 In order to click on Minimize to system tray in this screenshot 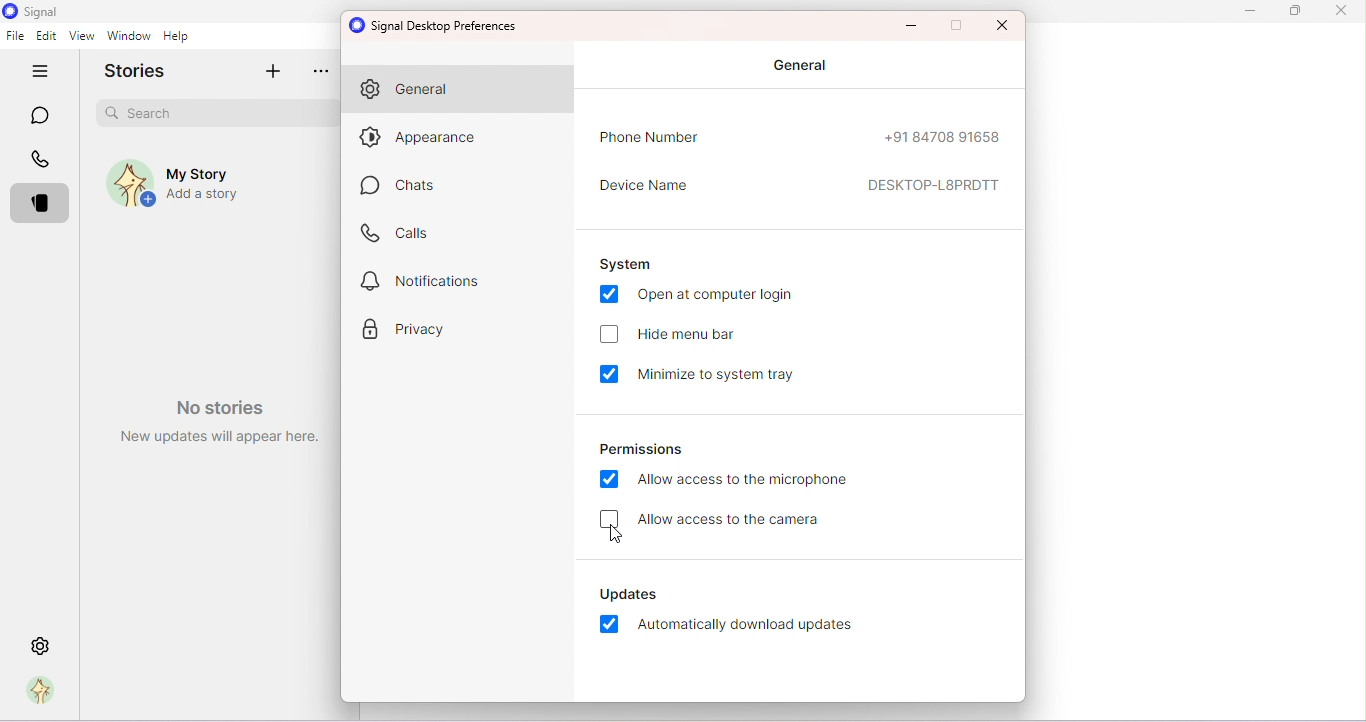, I will do `click(701, 373)`.